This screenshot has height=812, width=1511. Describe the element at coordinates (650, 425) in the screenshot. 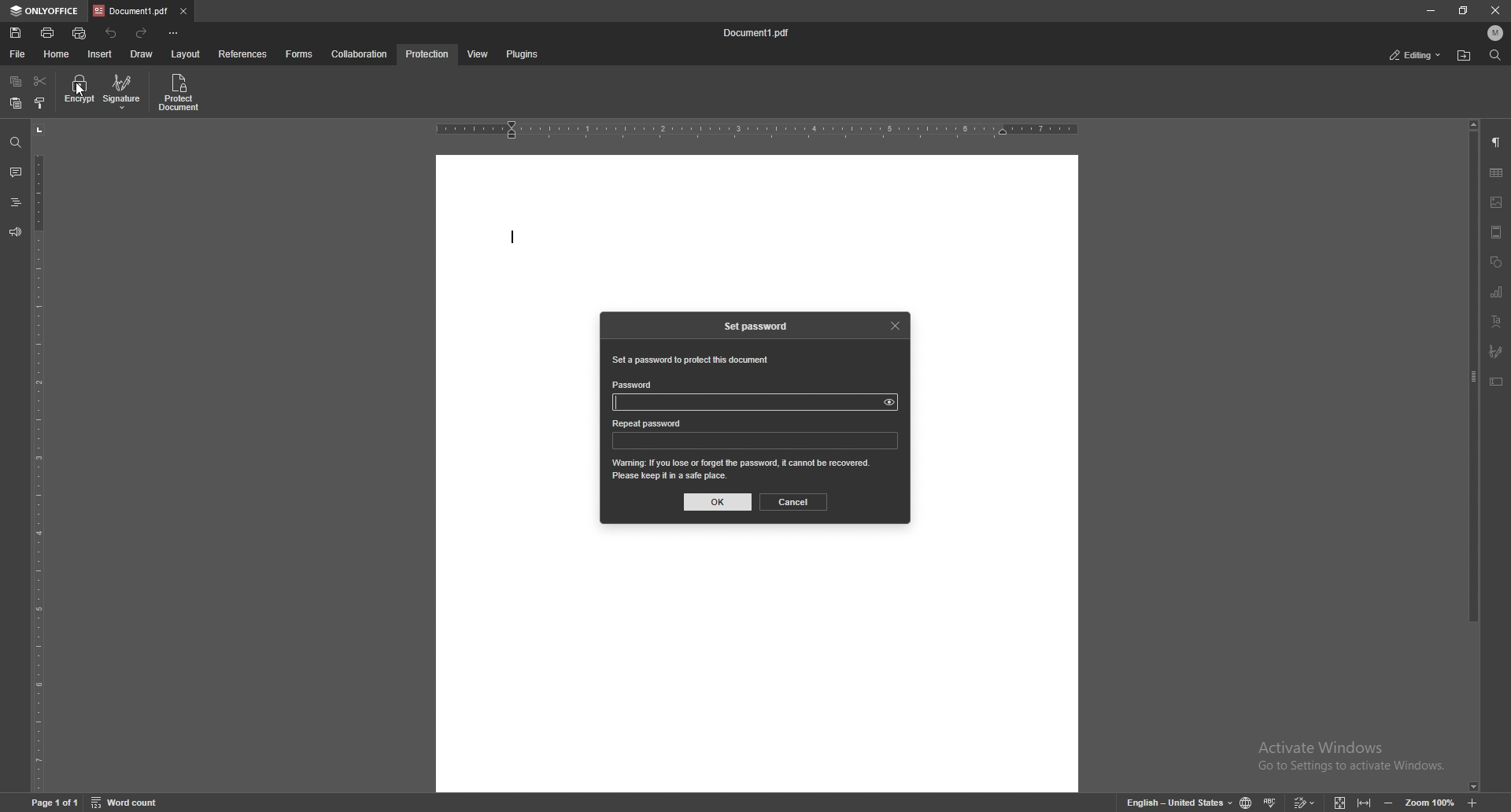

I see `repeat password` at that location.